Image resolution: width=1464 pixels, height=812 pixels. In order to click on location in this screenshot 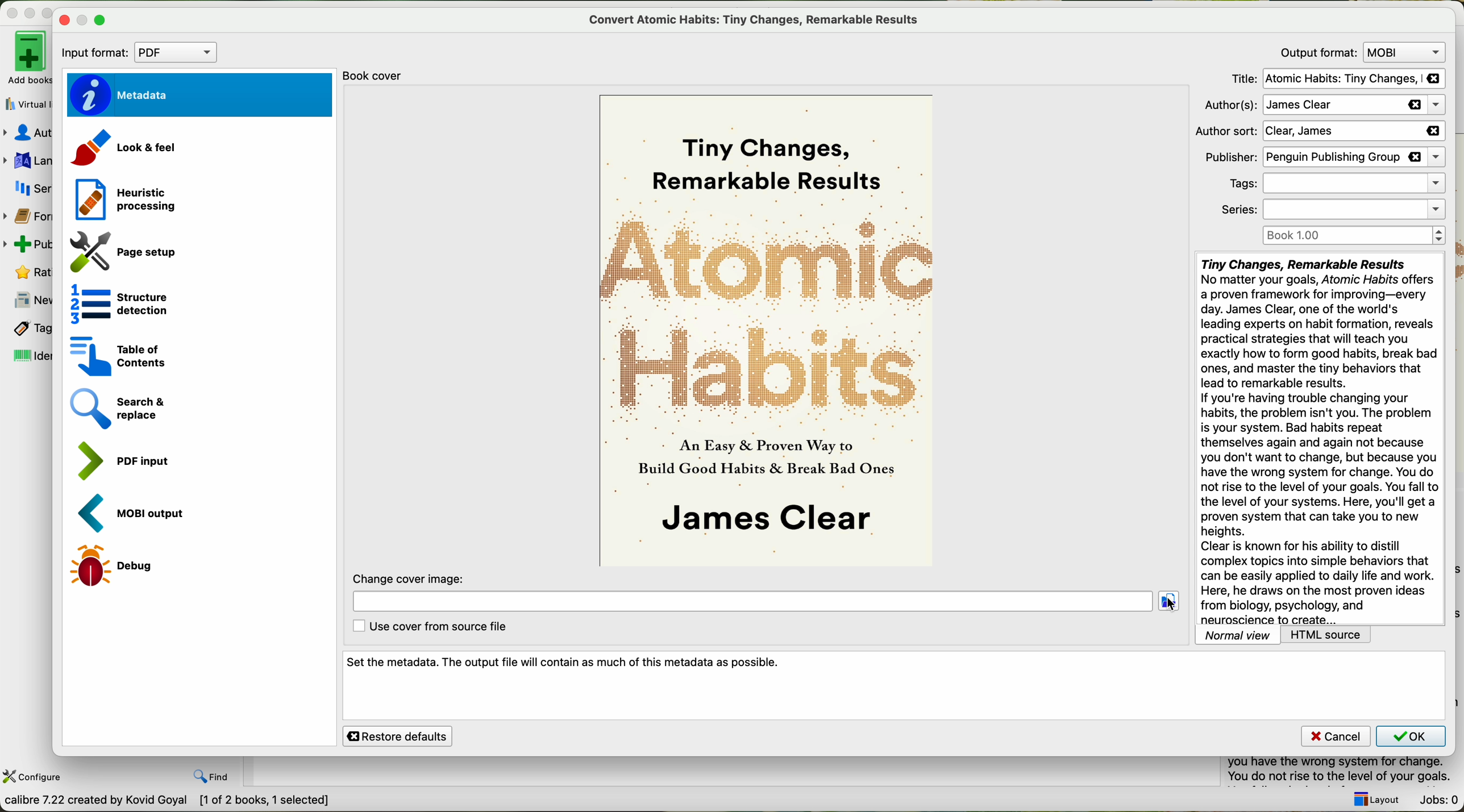, I will do `click(751, 603)`.